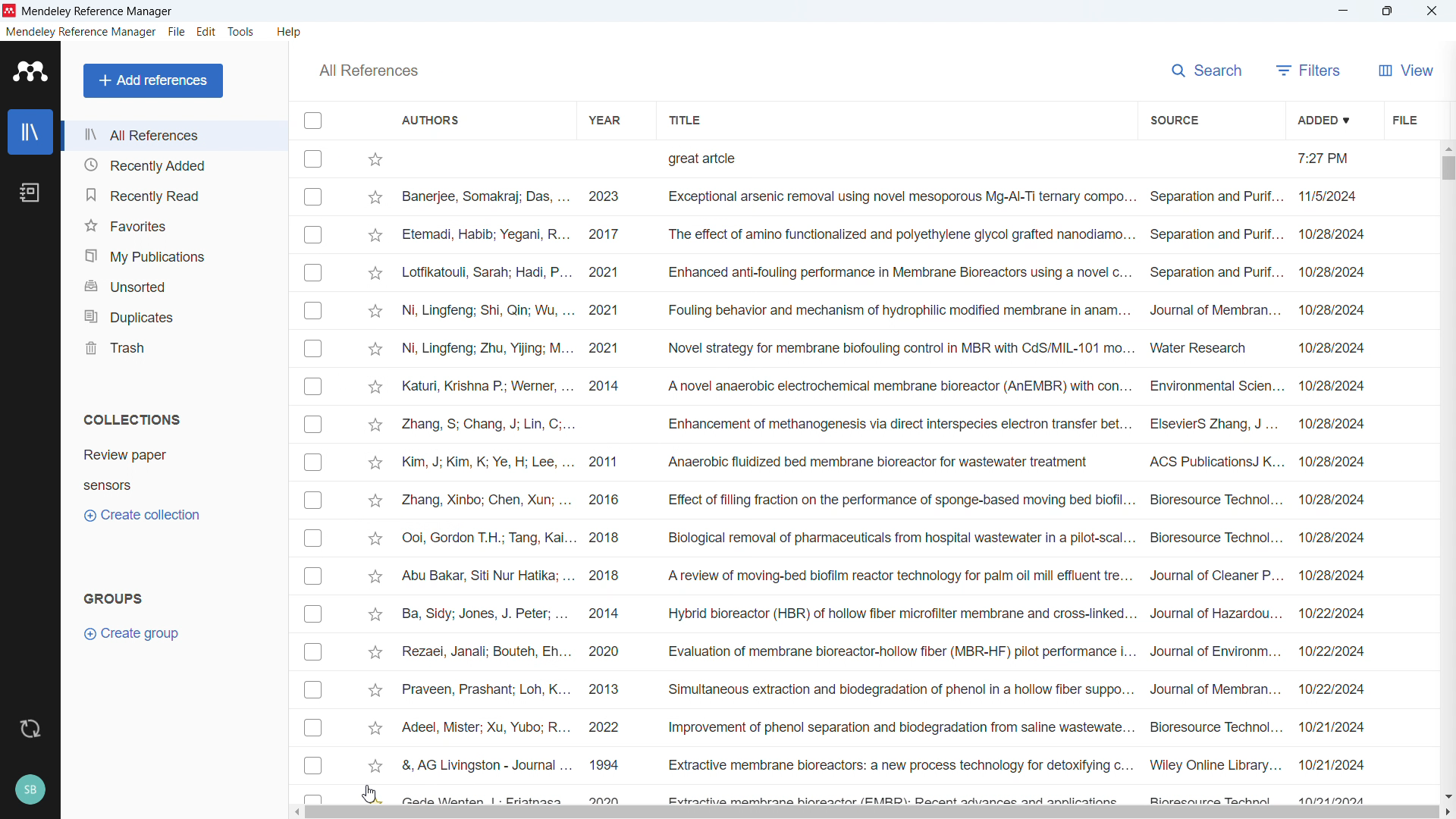  I want to click on search , so click(1209, 68).